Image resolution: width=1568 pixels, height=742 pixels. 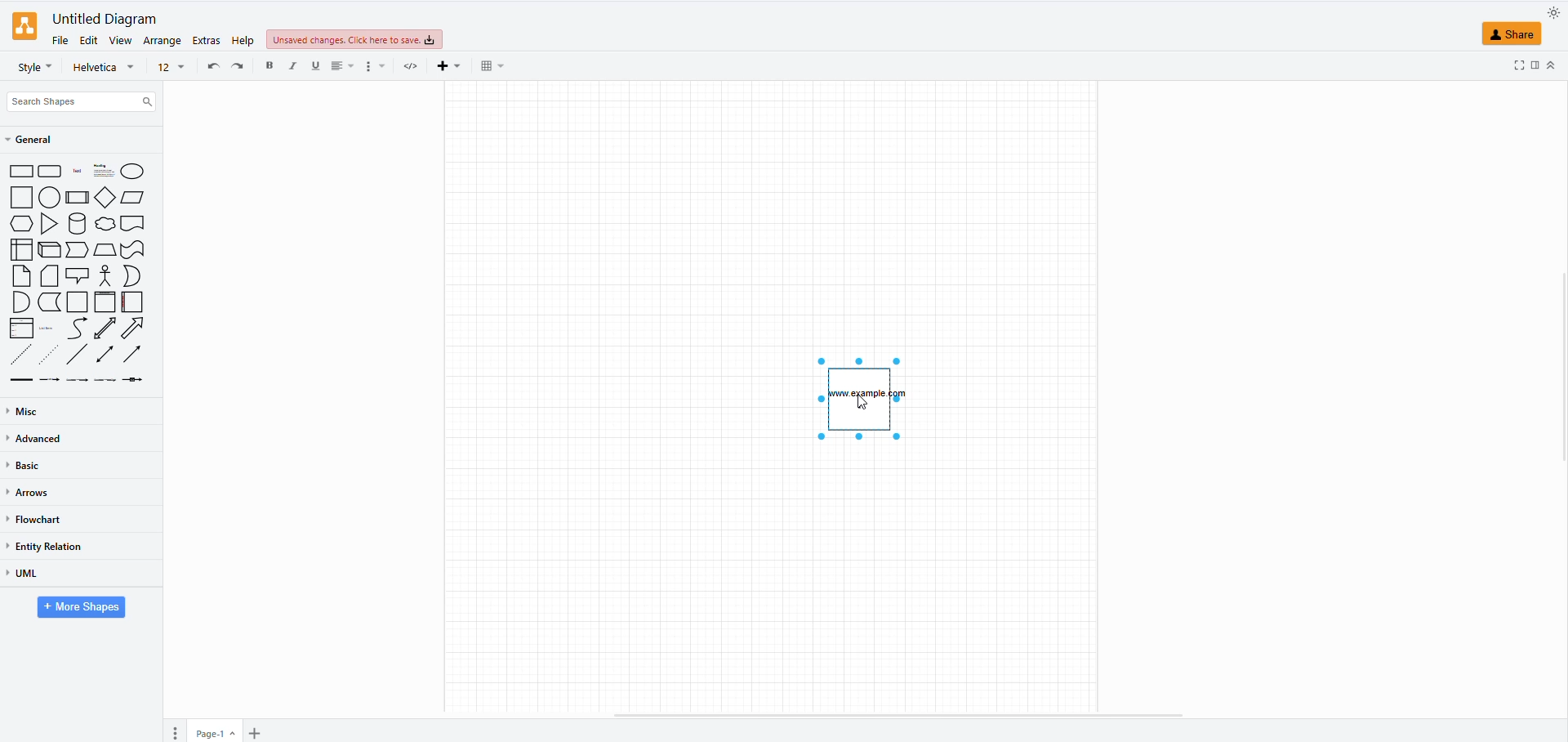 I want to click on undo, so click(x=212, y=65).